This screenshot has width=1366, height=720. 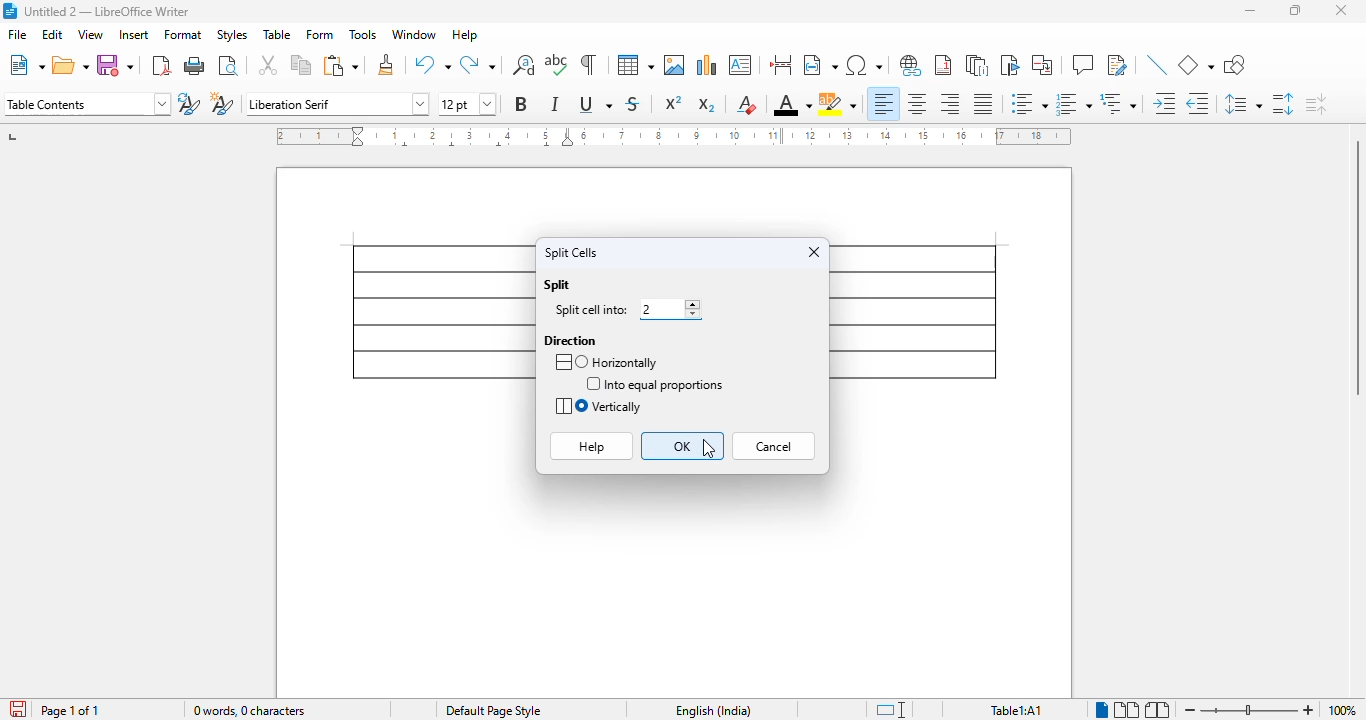 I want to click on insert text box, so click(x=740, y=65).